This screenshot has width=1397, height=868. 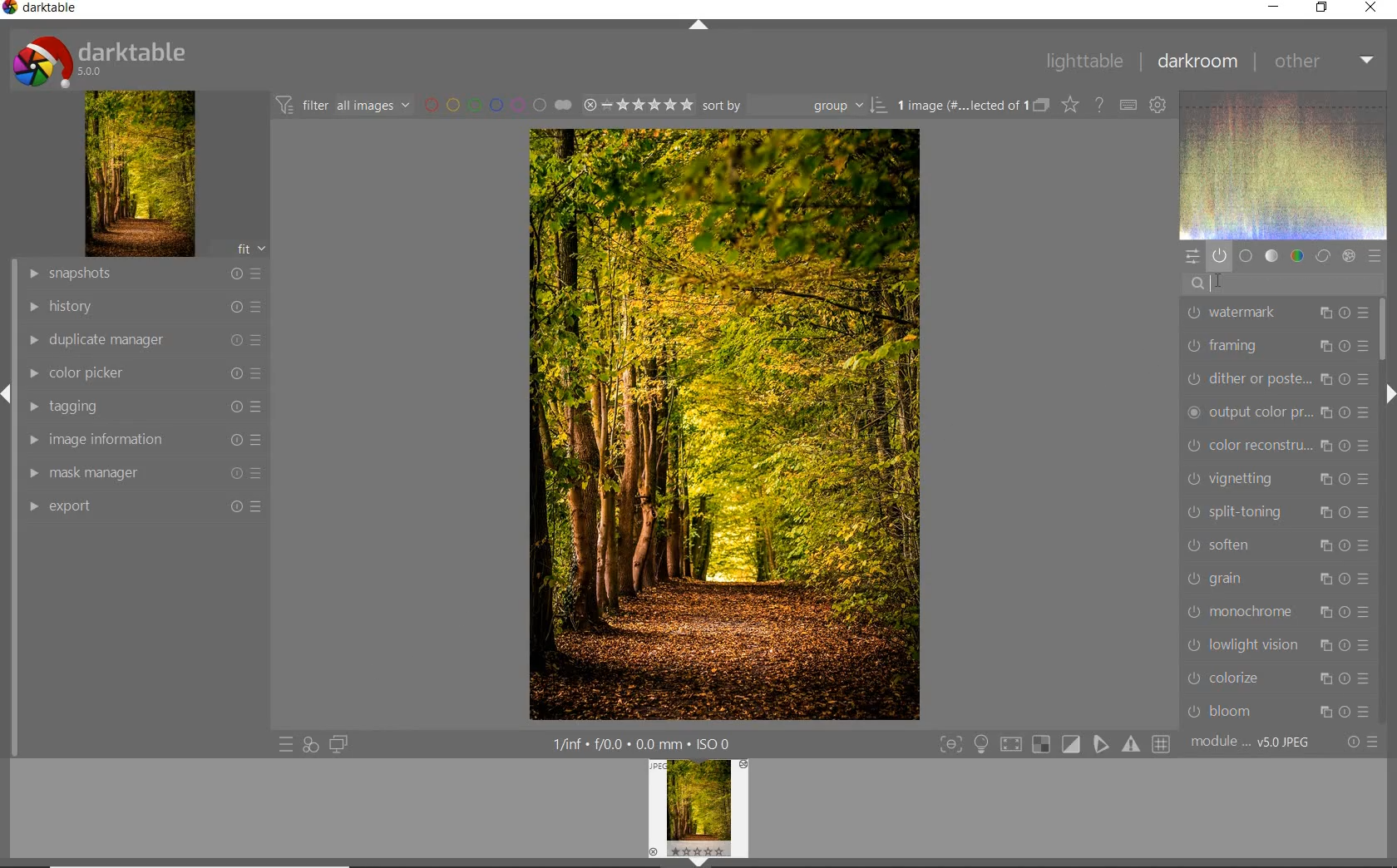 I want to click on preset, so click(x=1374, y=255).